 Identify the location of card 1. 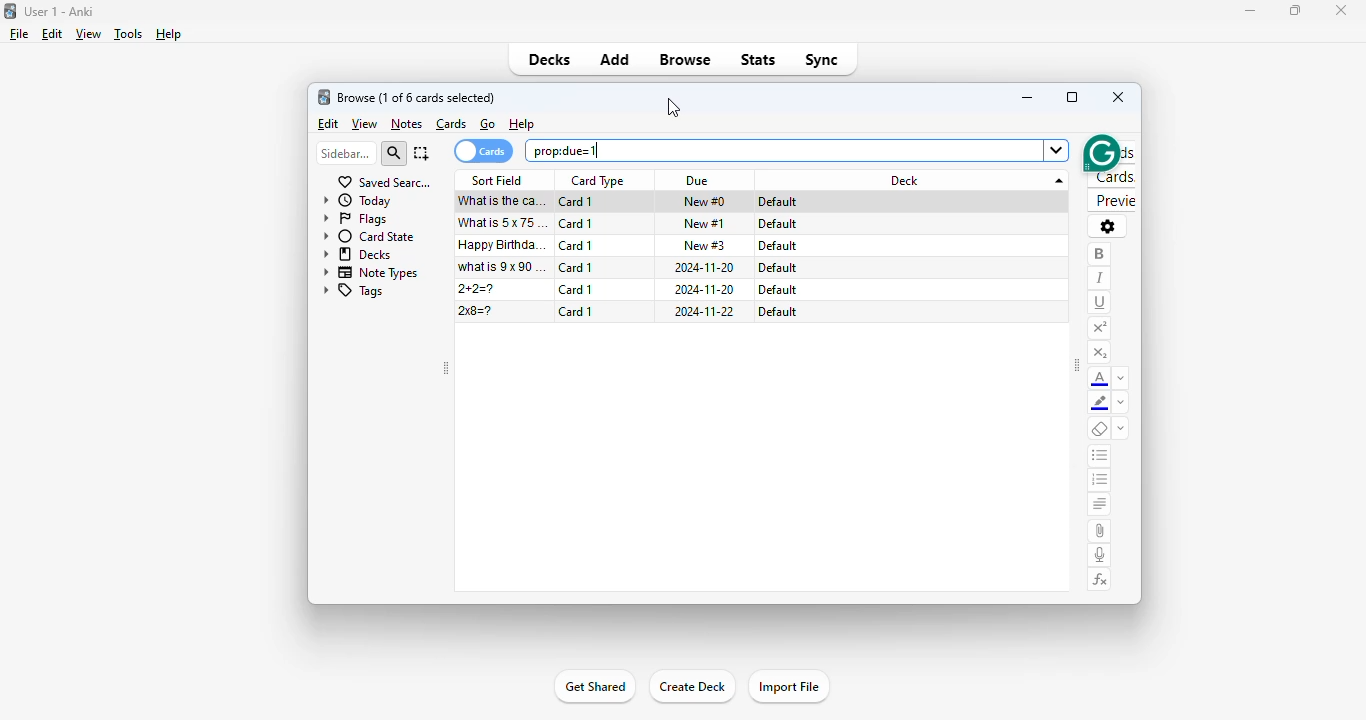
(576, 267).